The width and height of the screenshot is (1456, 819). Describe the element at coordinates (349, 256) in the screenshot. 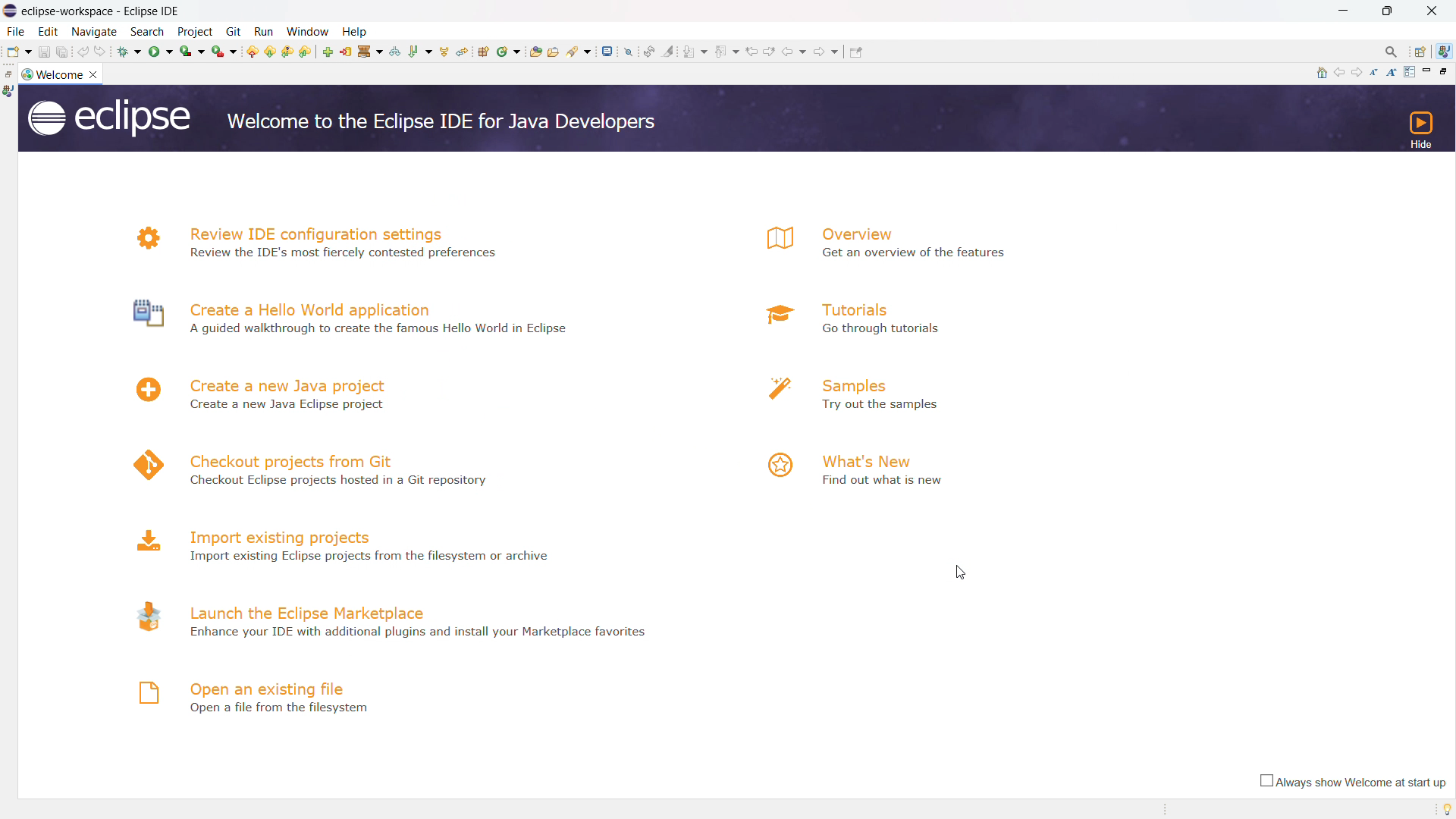

I see `N Review the IDE's most fiercely contested preferences` at that location.